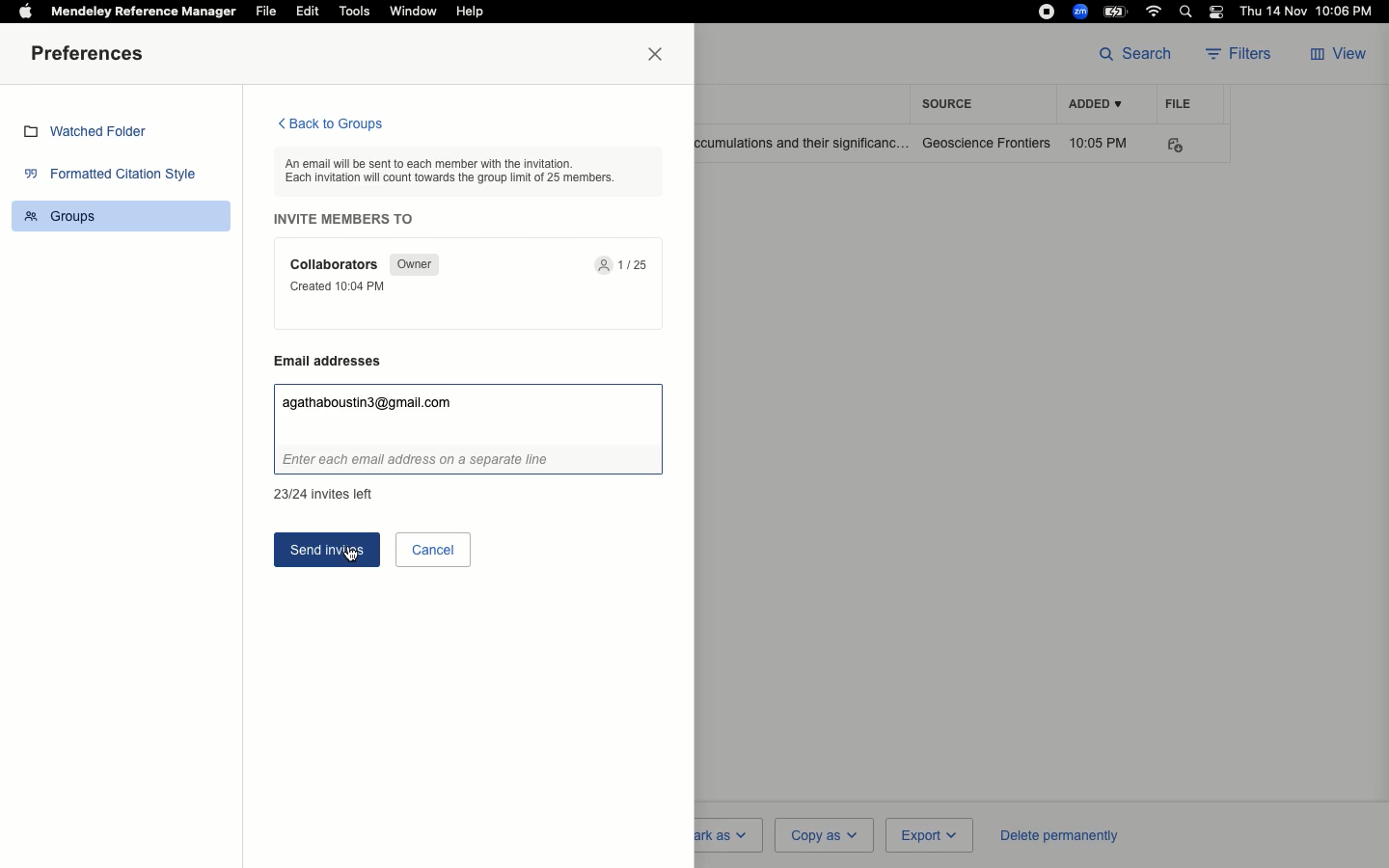 The width and height of the screenshot is (1389, 868). Describe the element at coordinates (1055, 834) in the screenshot. I see `Delete permanently` at that location.